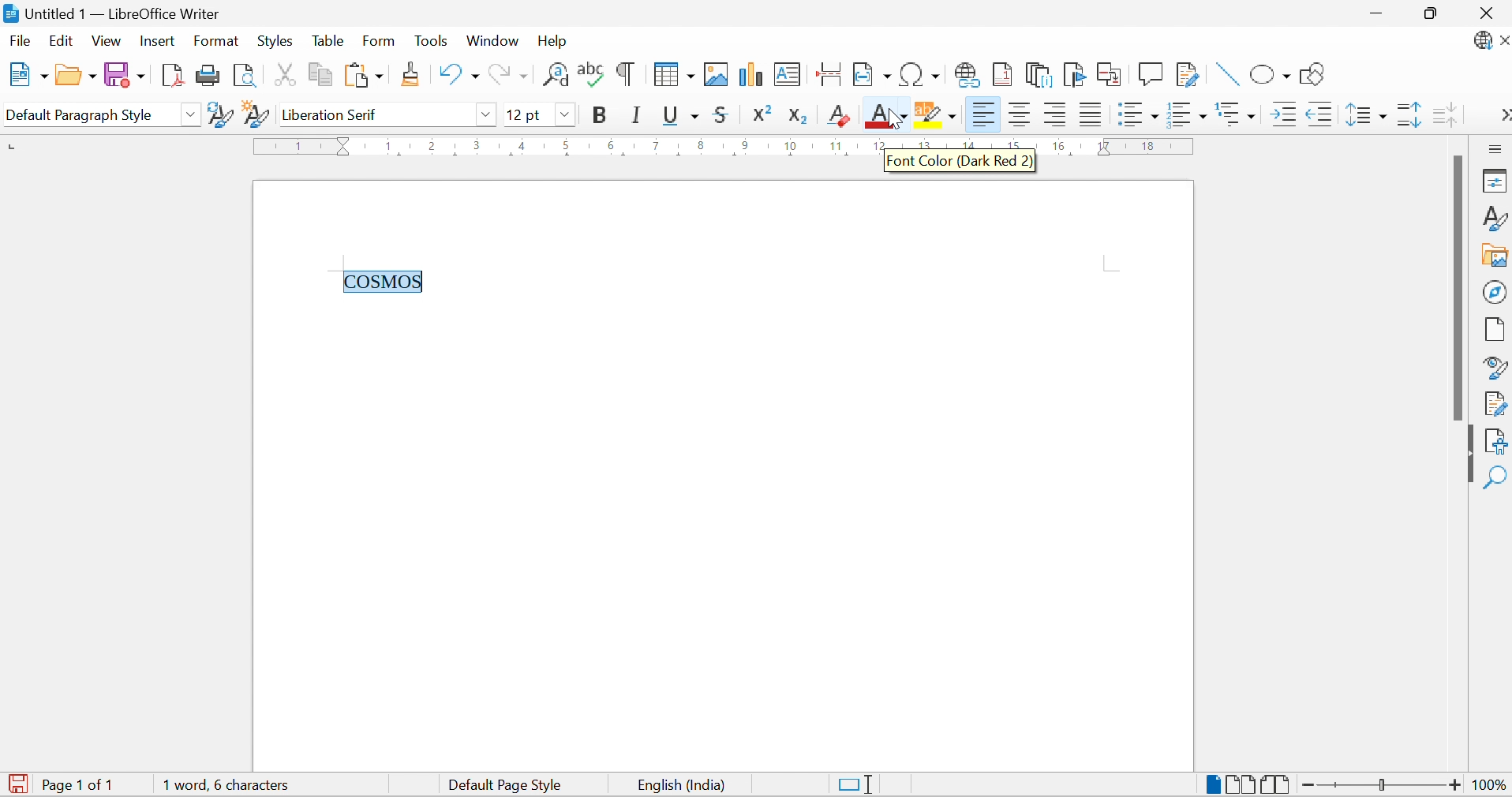  What do you see at coordinates (827, 73) in the screenshot?
I see `Insert Page Break` at bounding box center [827, 73].